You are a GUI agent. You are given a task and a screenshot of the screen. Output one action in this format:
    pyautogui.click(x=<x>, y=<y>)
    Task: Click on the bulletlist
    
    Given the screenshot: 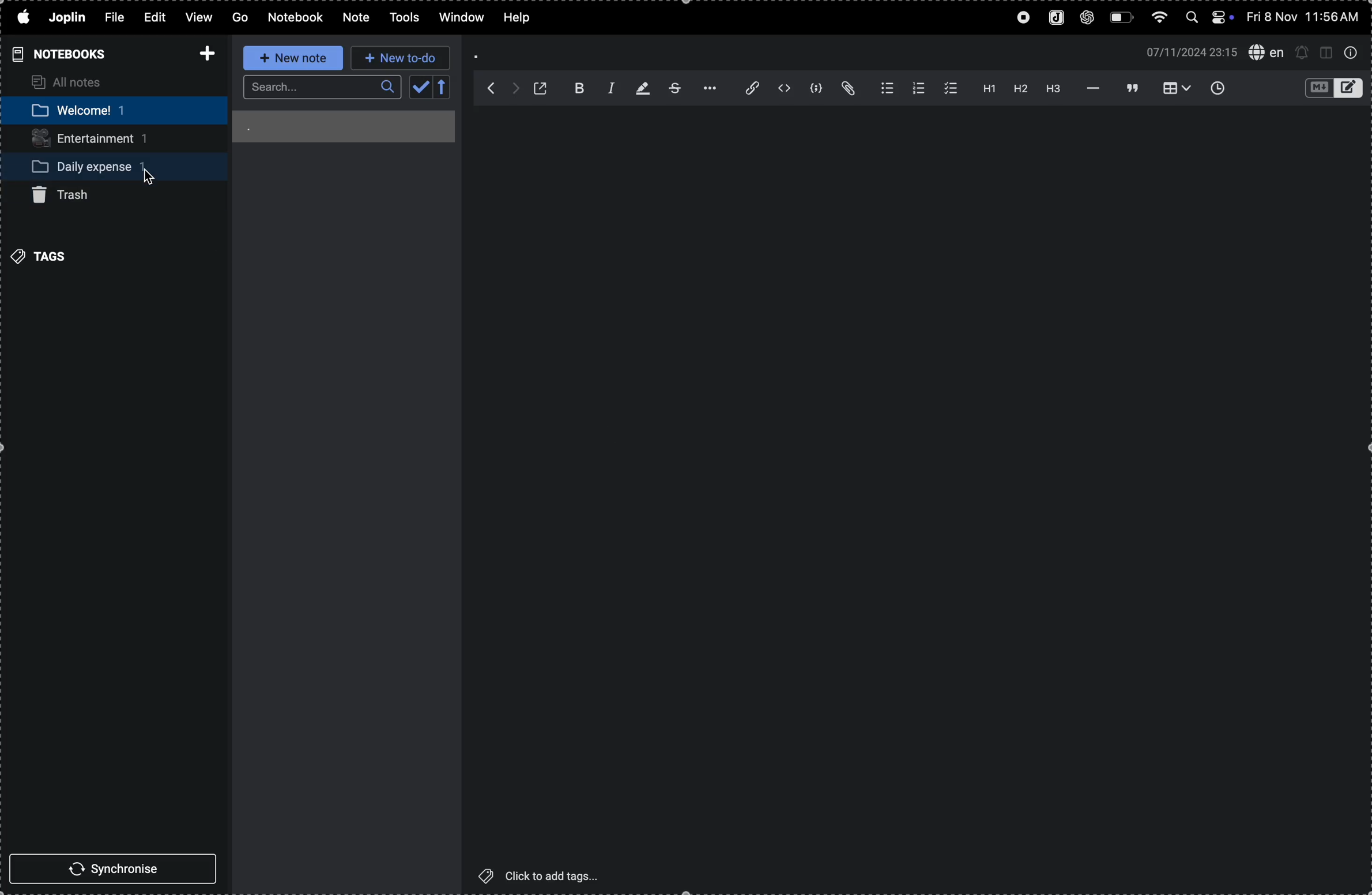 What is the action you would take?
    pyautogui.click(x=884, y=89)
    